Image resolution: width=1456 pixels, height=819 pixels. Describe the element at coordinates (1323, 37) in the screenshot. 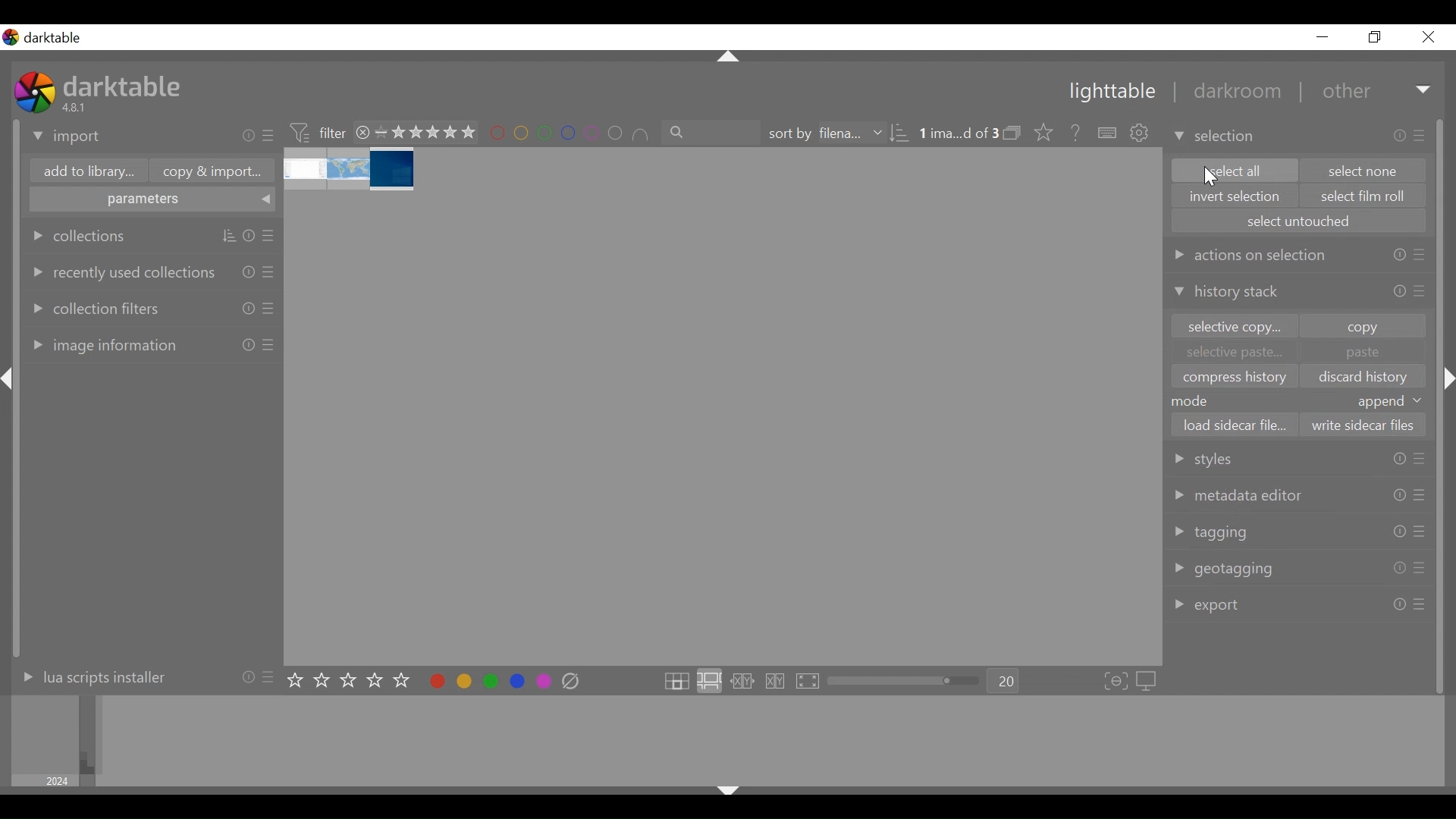

I see `minimize` at that location.